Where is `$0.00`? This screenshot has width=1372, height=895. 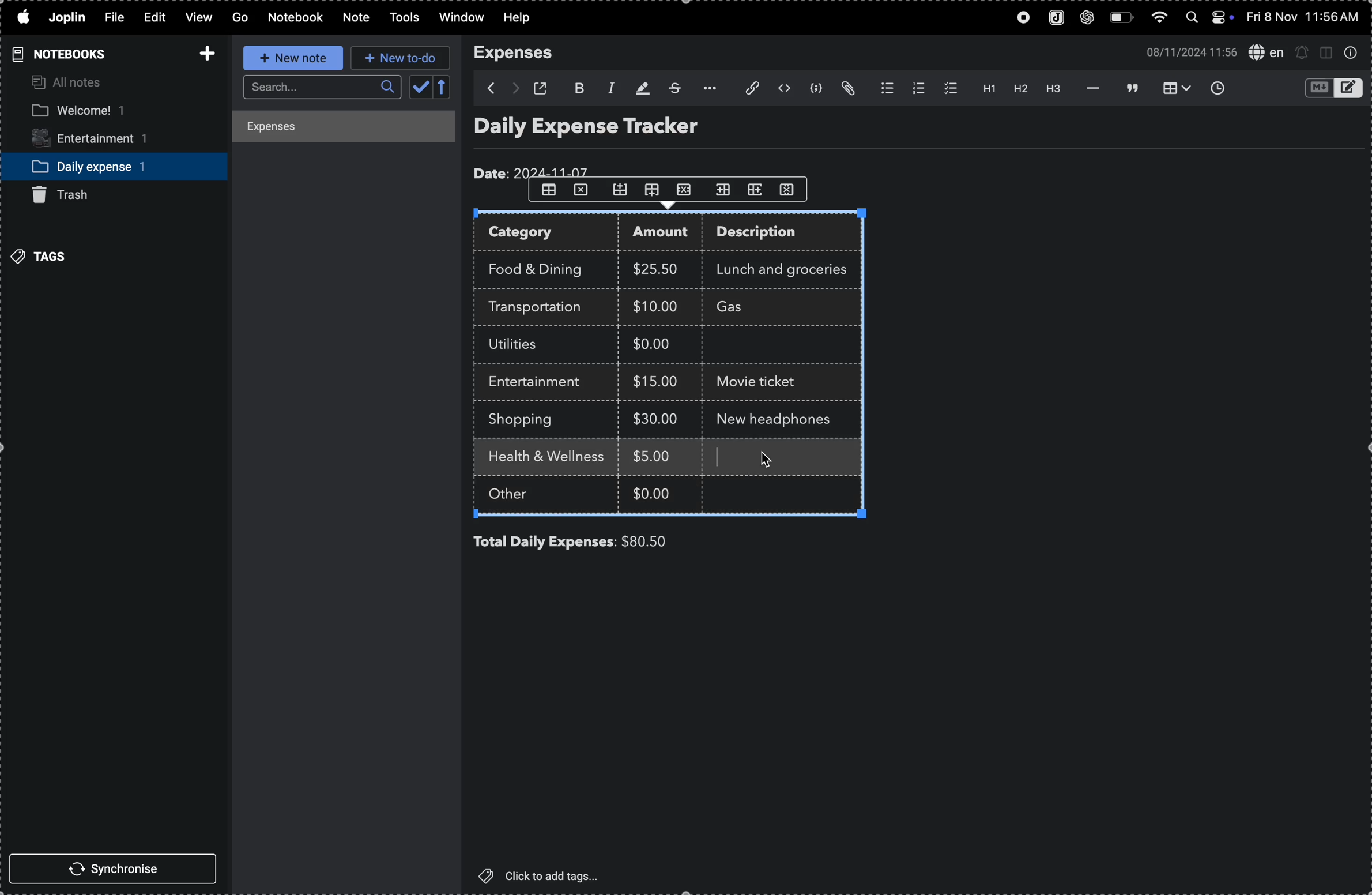
$0.00 is located at coordinates (654, 492).